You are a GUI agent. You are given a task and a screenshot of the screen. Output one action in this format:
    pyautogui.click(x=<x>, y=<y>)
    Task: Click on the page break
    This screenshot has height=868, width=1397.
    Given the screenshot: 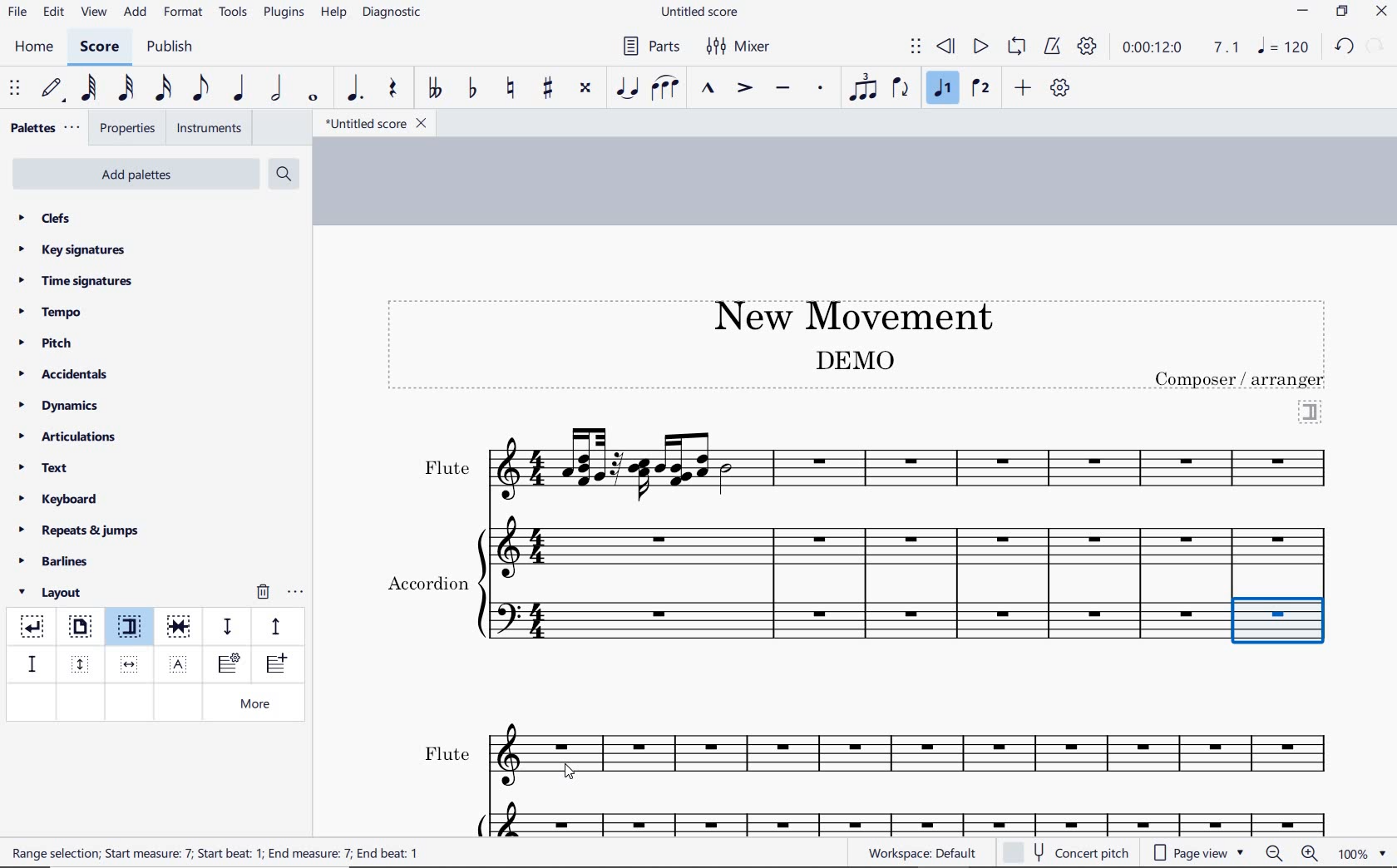 What is the action you would take?
    pyautogui.click(x=79, y=629)
    